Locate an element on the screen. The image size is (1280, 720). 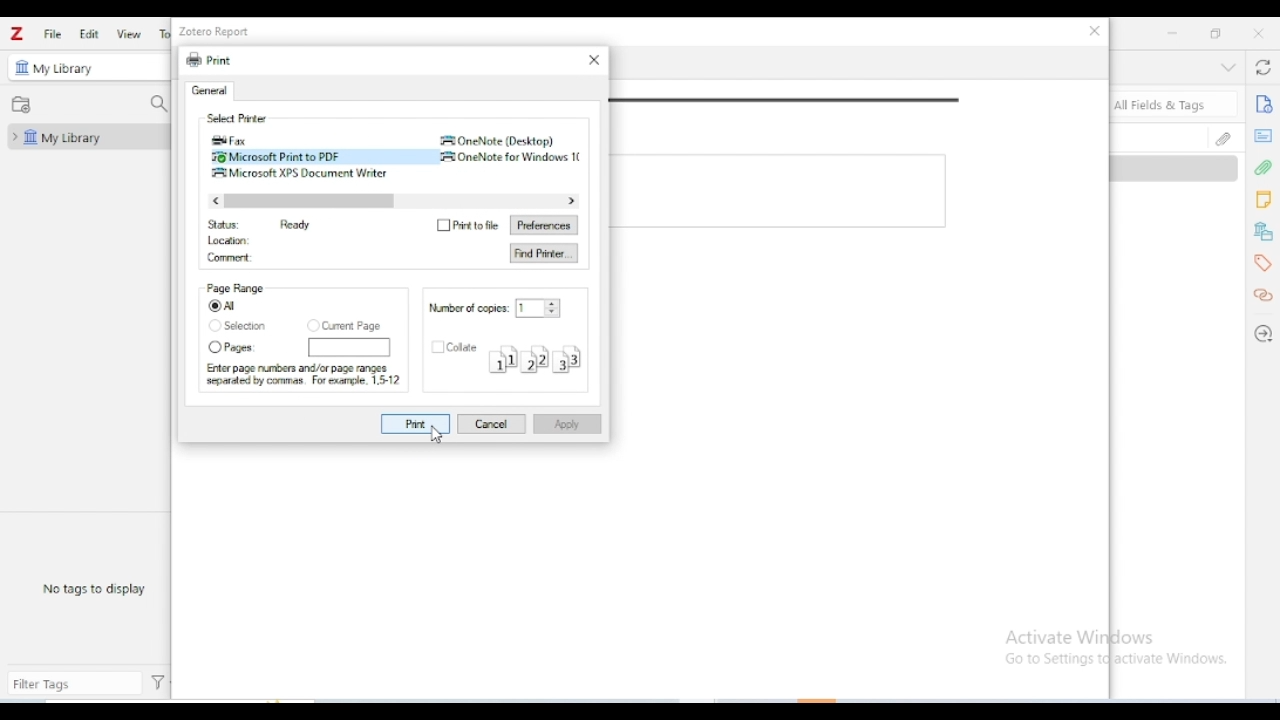
close is located at coordinates (1258, 33).